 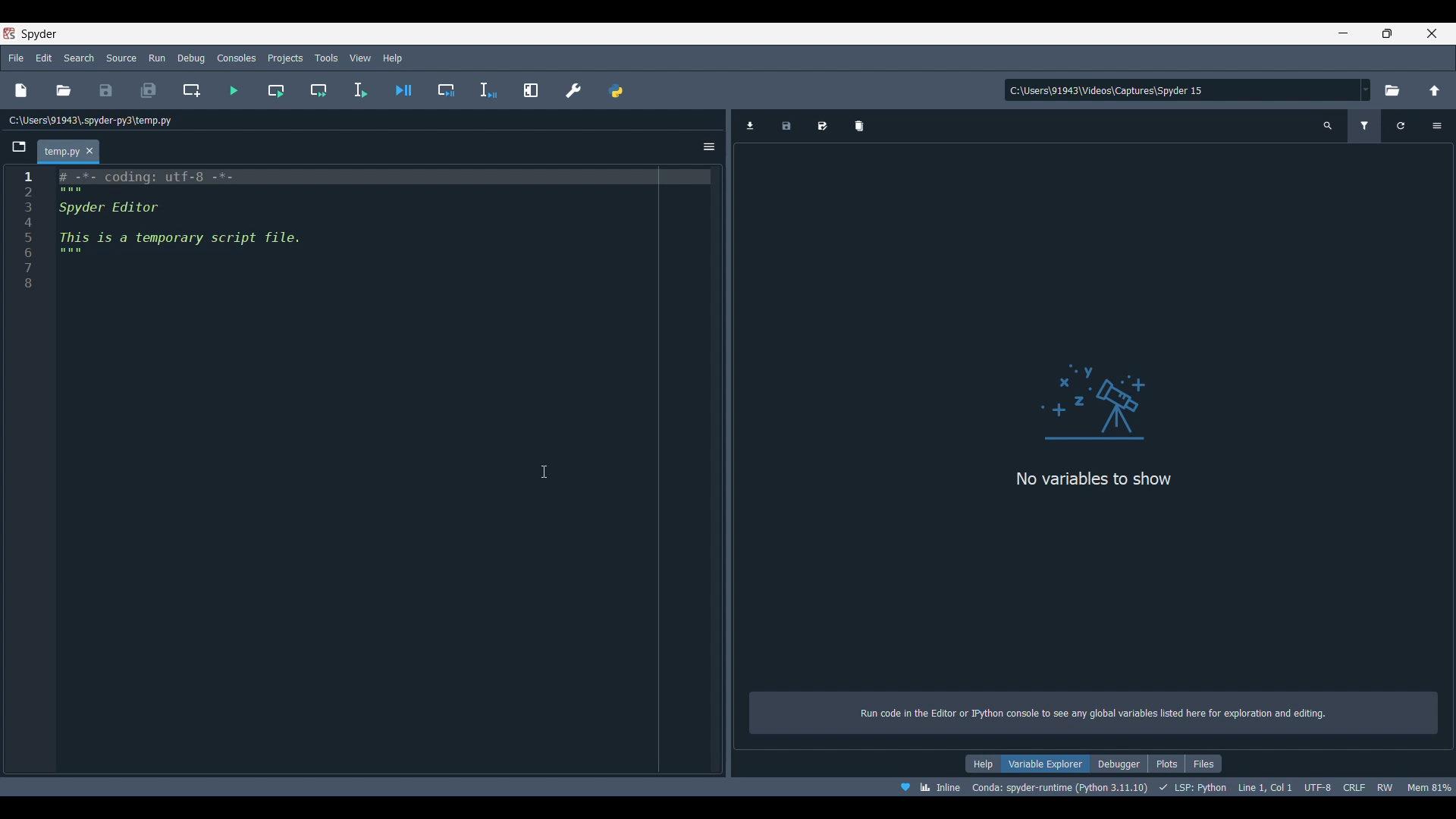 What do you see at coordinates (360, 58) in the screenshot?
I see `View menu` at bounding box center [360, 58].